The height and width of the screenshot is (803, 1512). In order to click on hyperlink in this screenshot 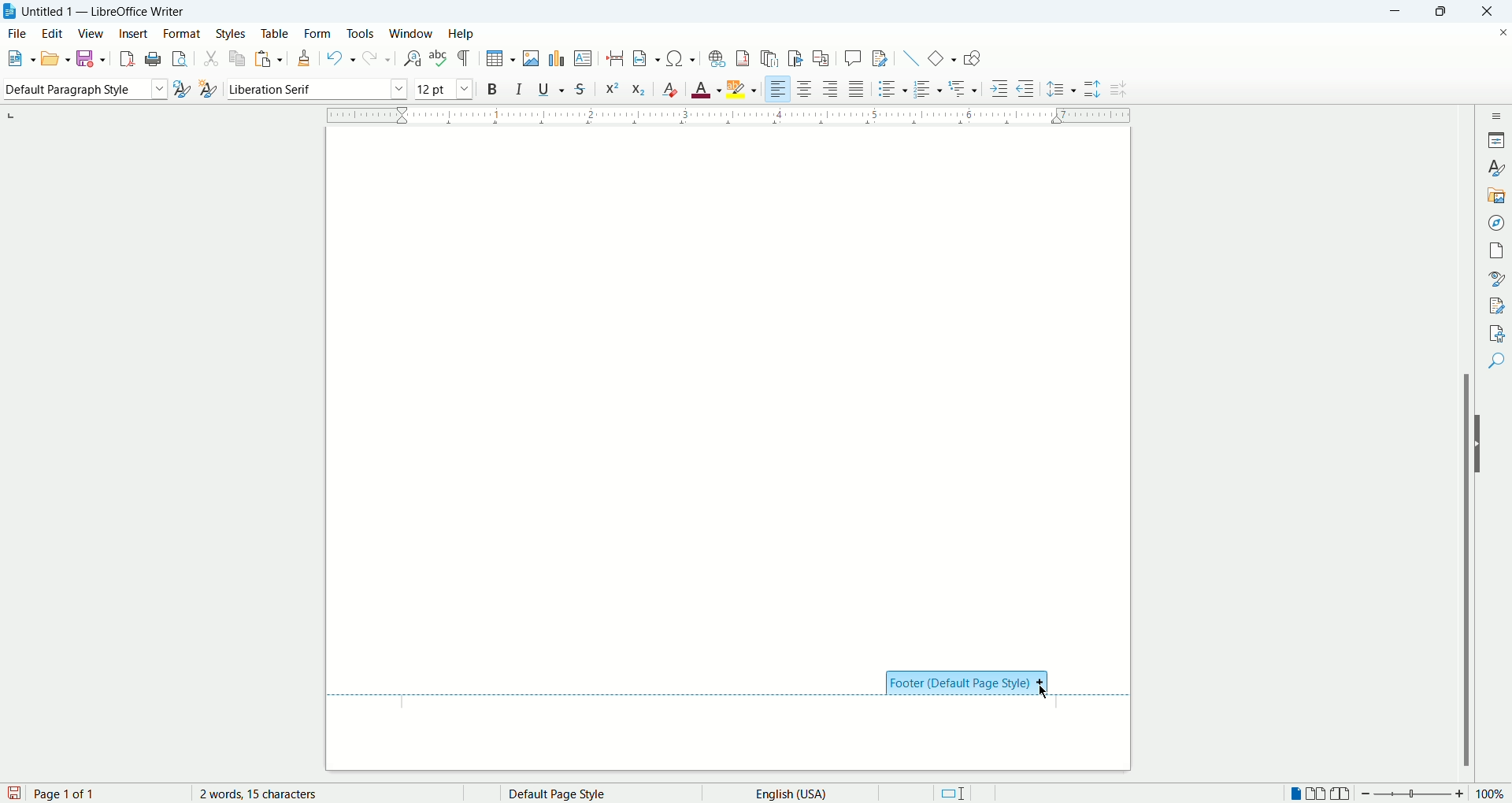, I will do `click(717, 58)`.